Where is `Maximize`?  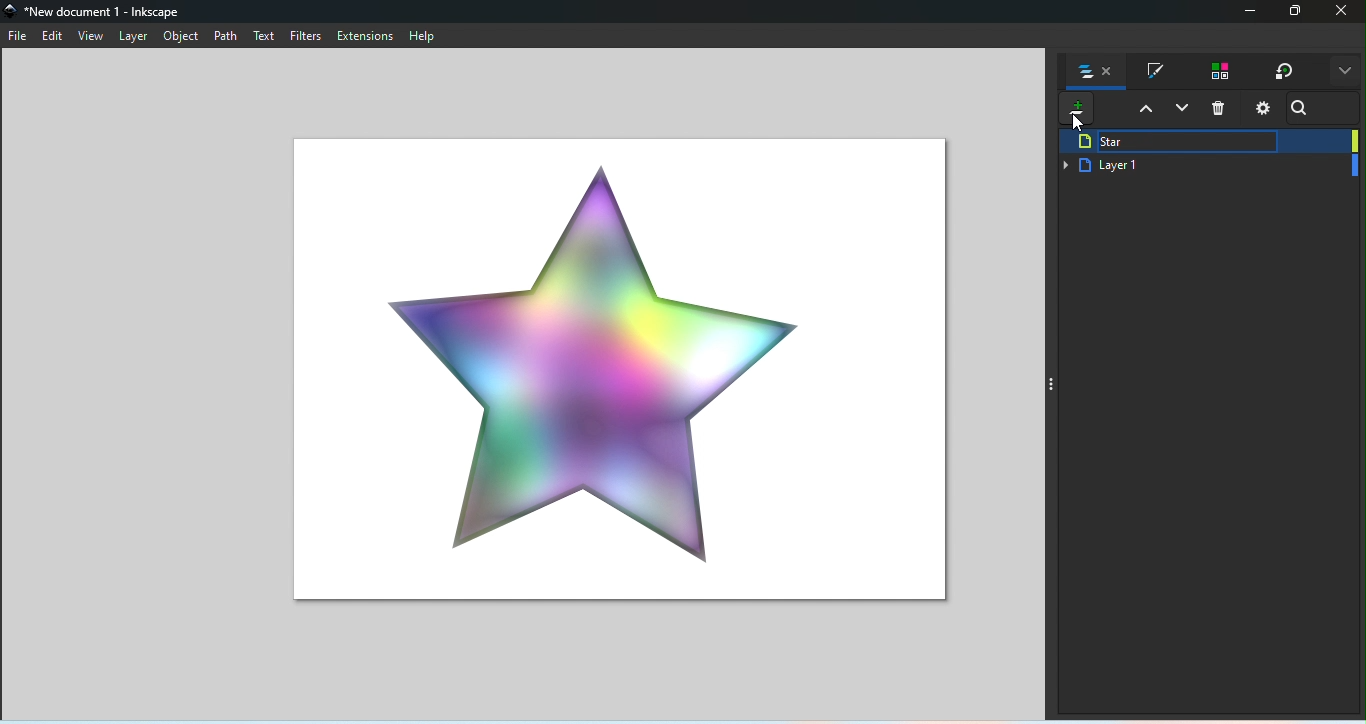 Maximize is located at coordinates (1295, 13).